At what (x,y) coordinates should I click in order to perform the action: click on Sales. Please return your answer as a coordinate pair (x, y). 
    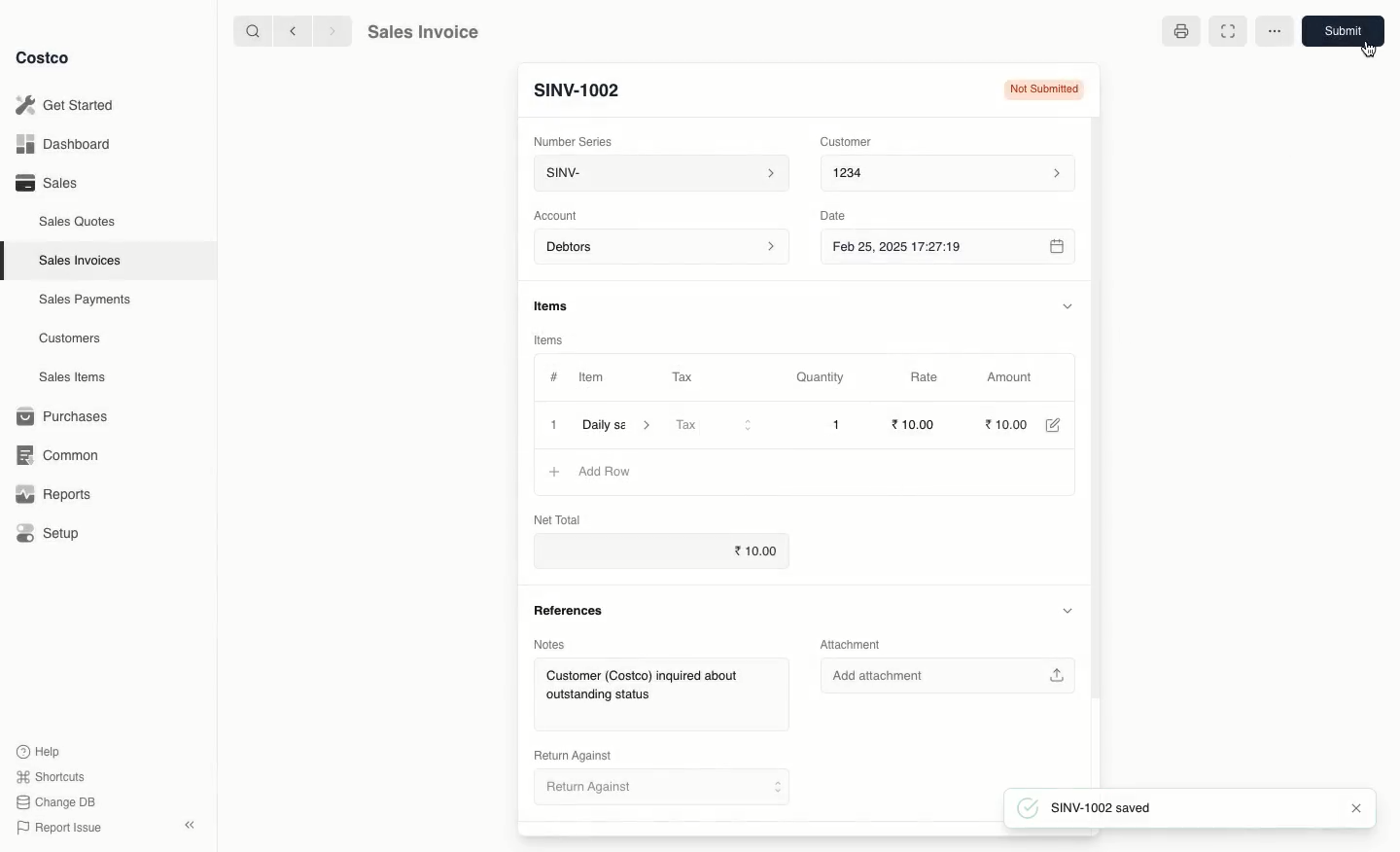
    Looking at the image, I should click on (48, 184).